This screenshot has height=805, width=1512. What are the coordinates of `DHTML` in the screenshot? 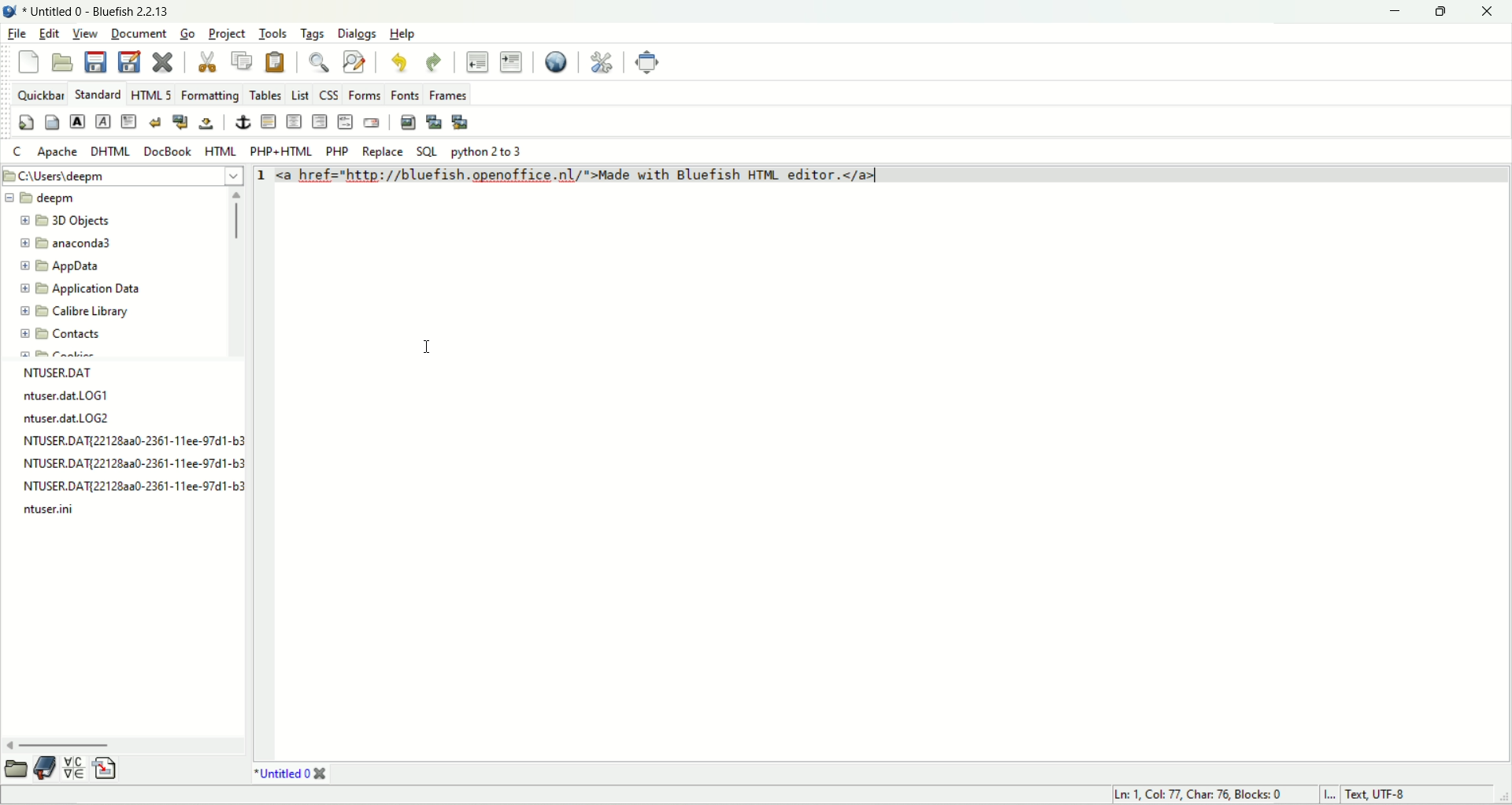 It's located at (110, 153).